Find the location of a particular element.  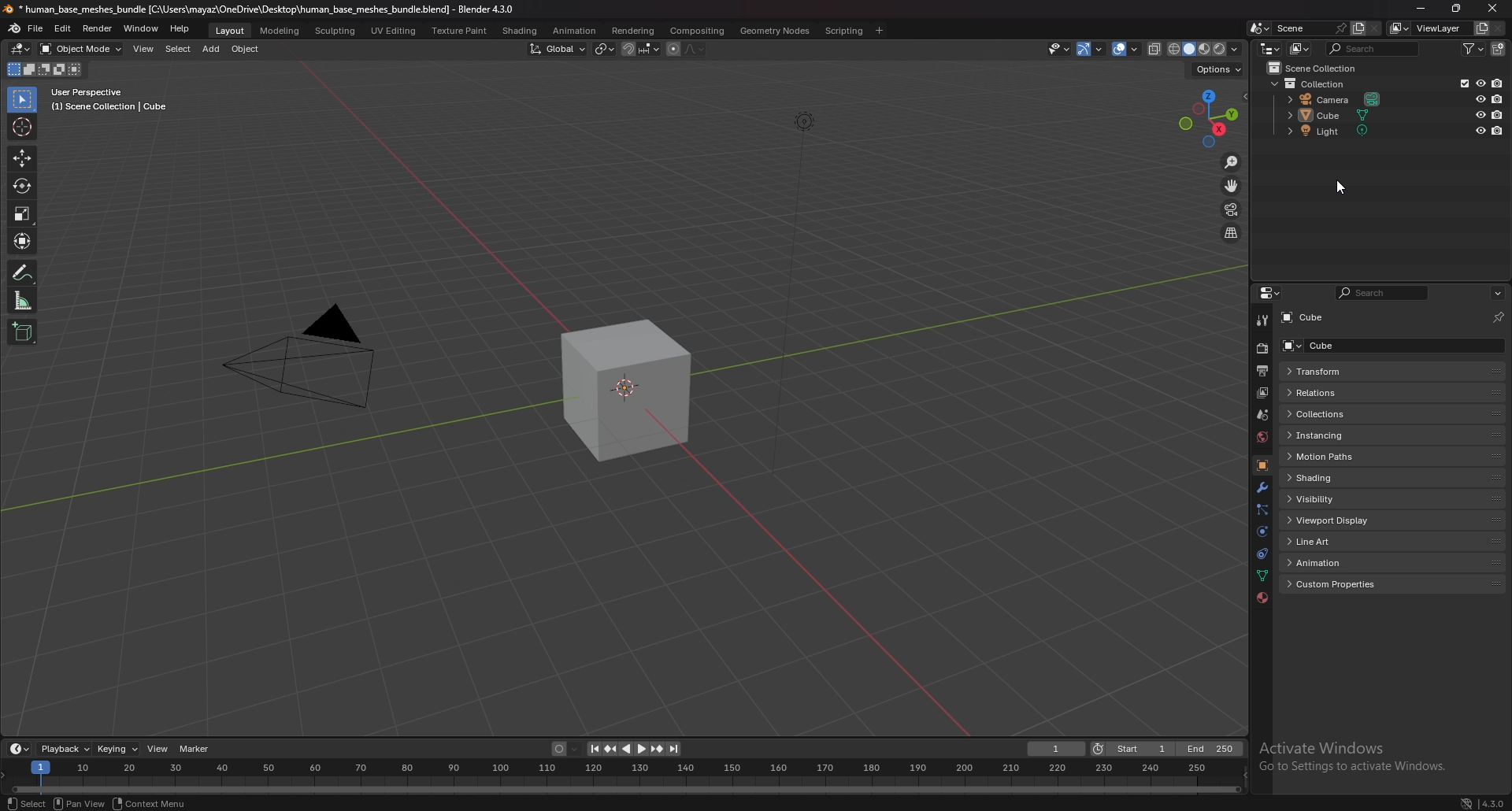

sculpting is located at coordinates (337, 30).